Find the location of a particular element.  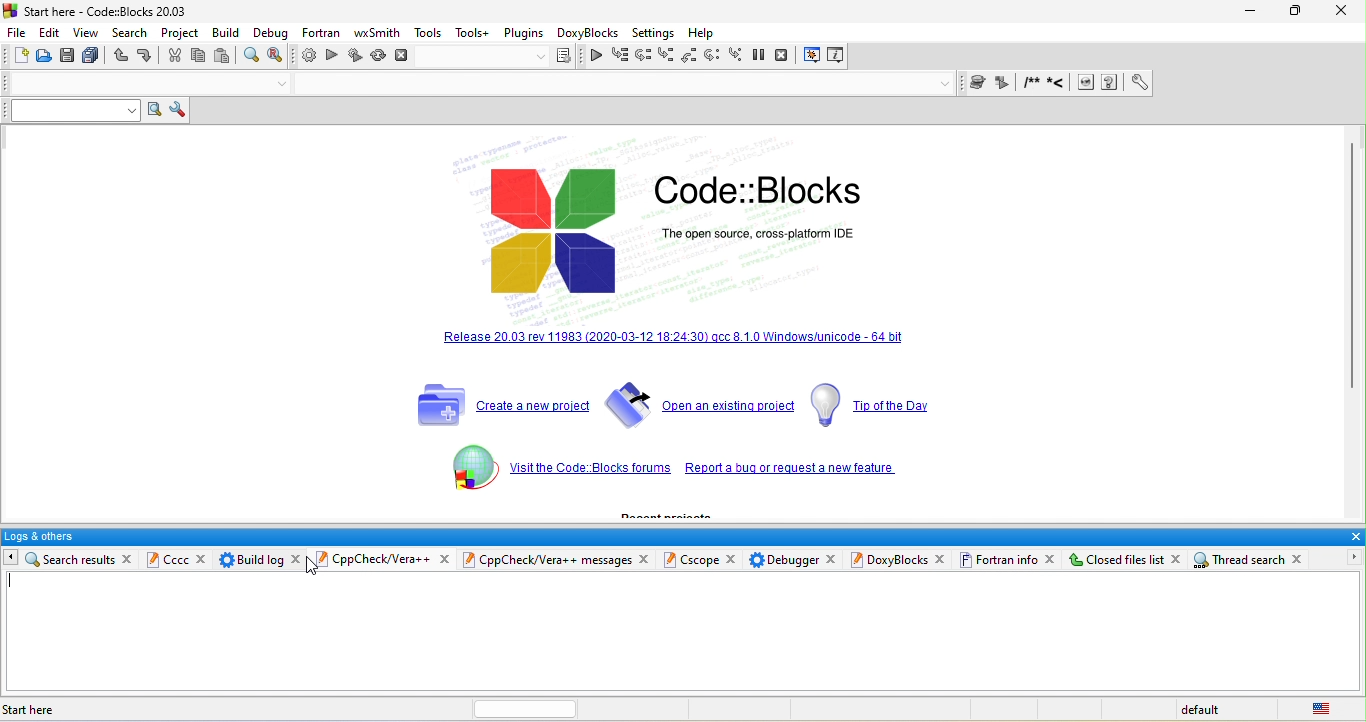

open is located at coordinates (44, 57).